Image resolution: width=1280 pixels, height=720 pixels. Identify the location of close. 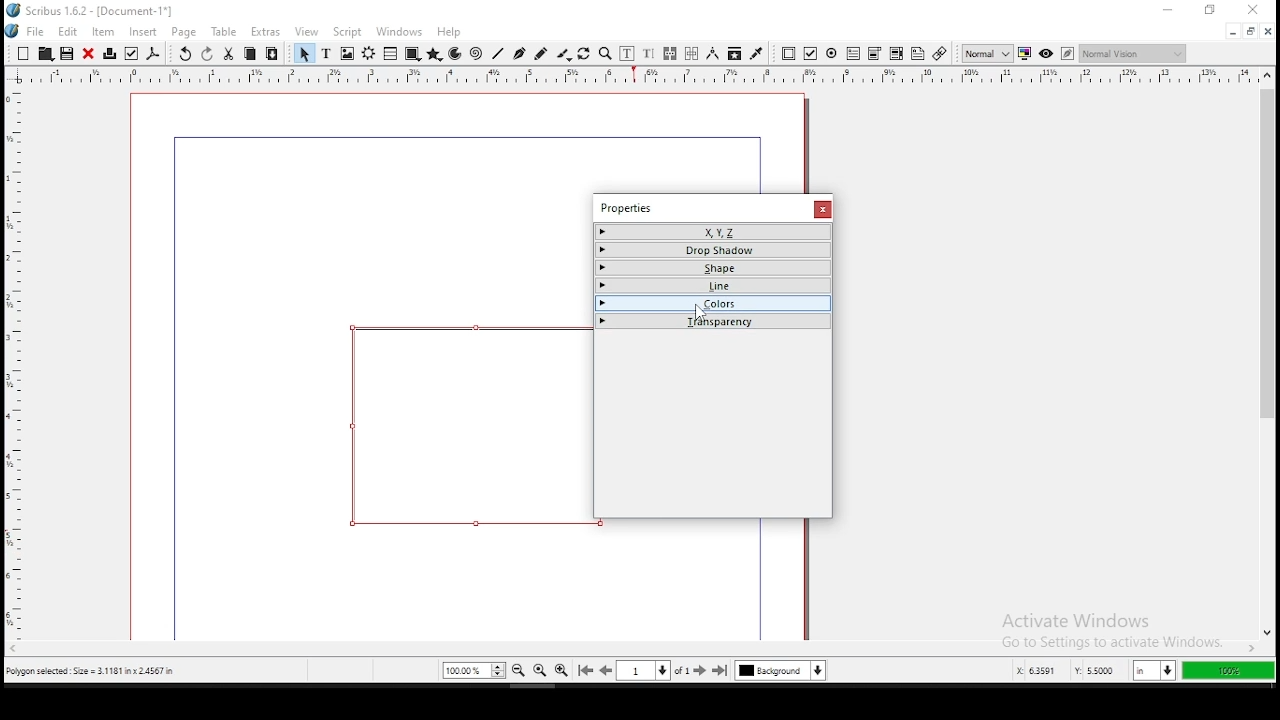
(88, 54).